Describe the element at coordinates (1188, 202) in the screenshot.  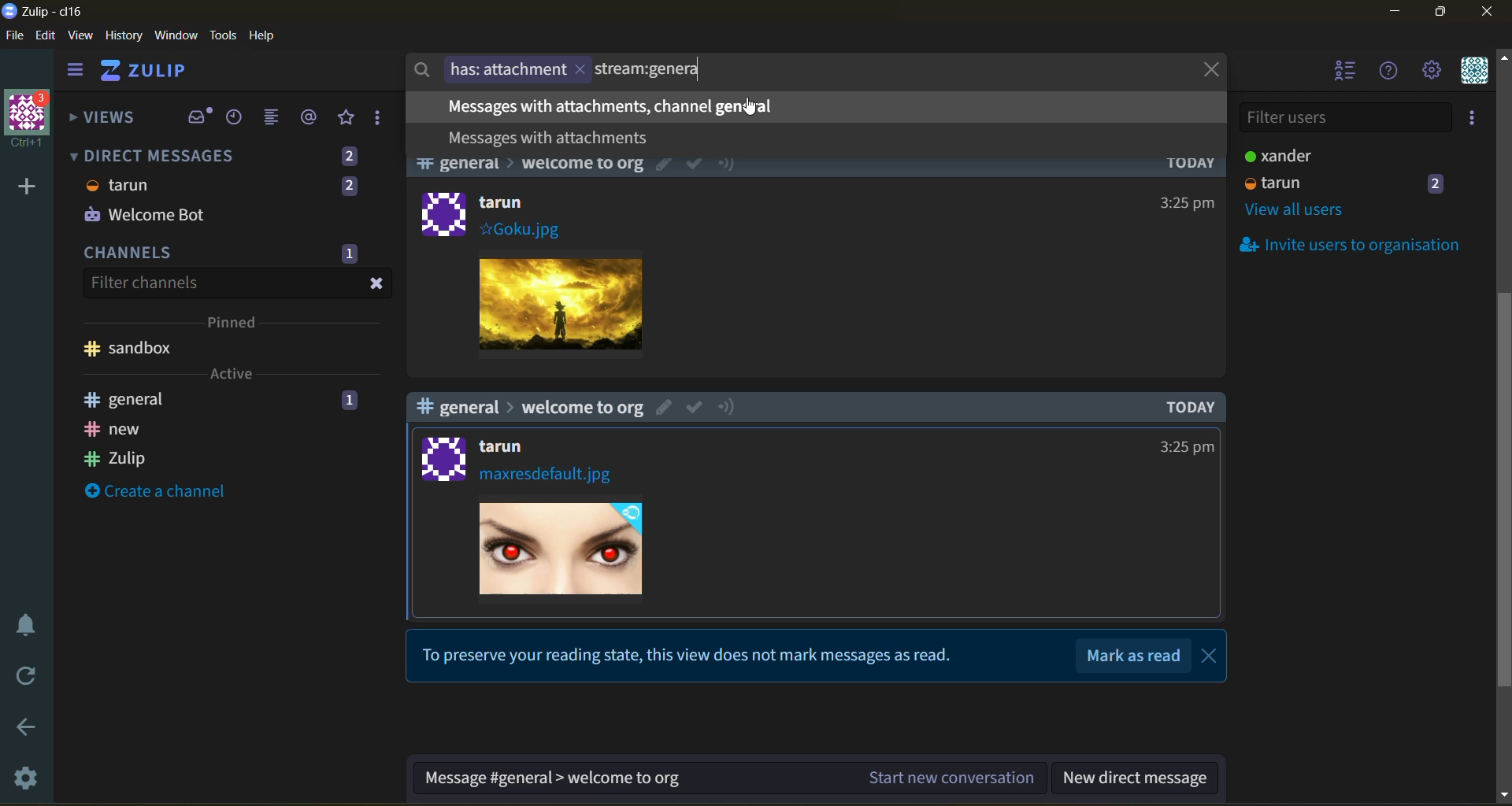
I see `325pm` at that location.